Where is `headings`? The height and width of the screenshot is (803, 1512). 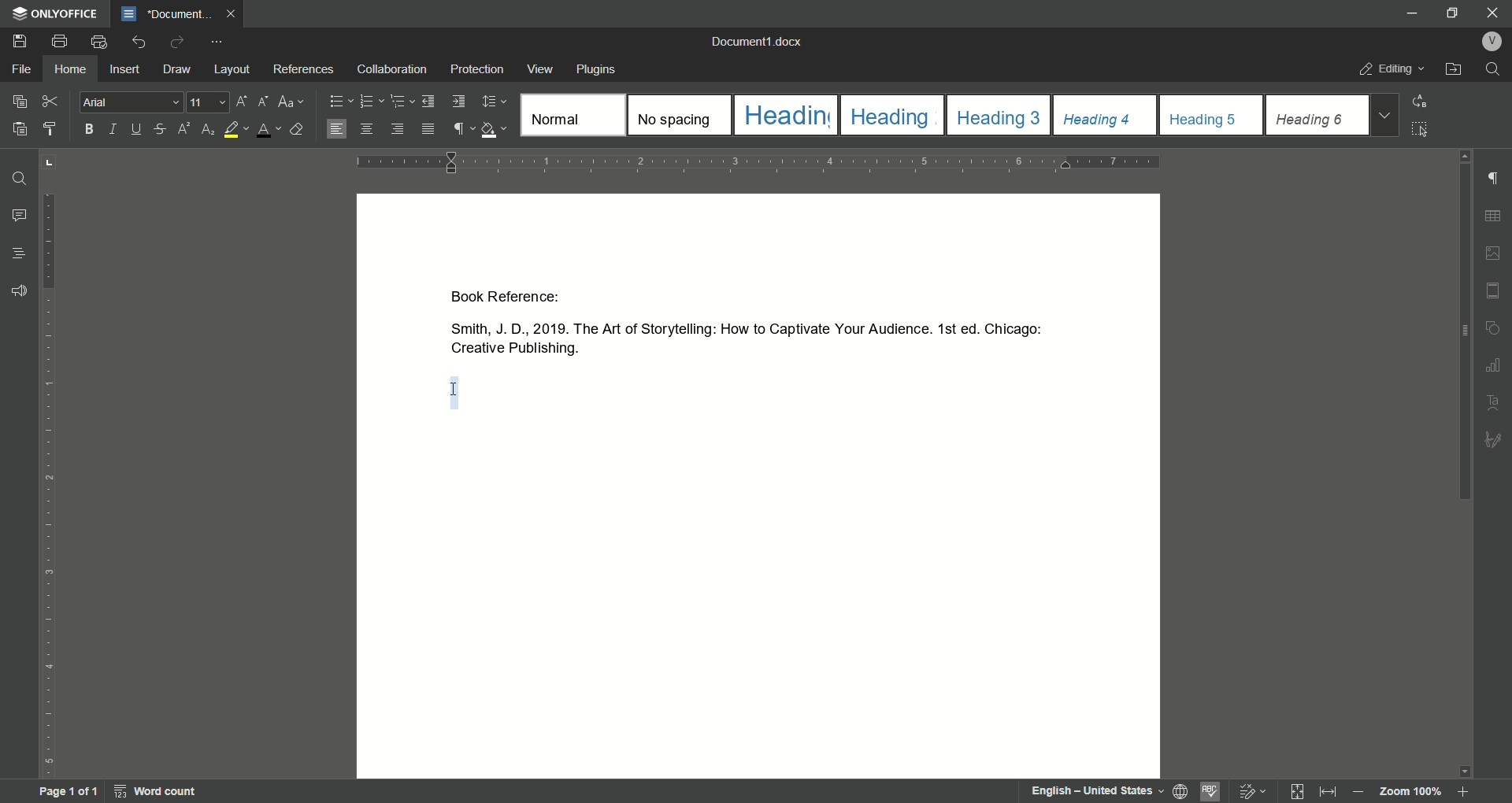
headings is located at coordinates (1317, 114).